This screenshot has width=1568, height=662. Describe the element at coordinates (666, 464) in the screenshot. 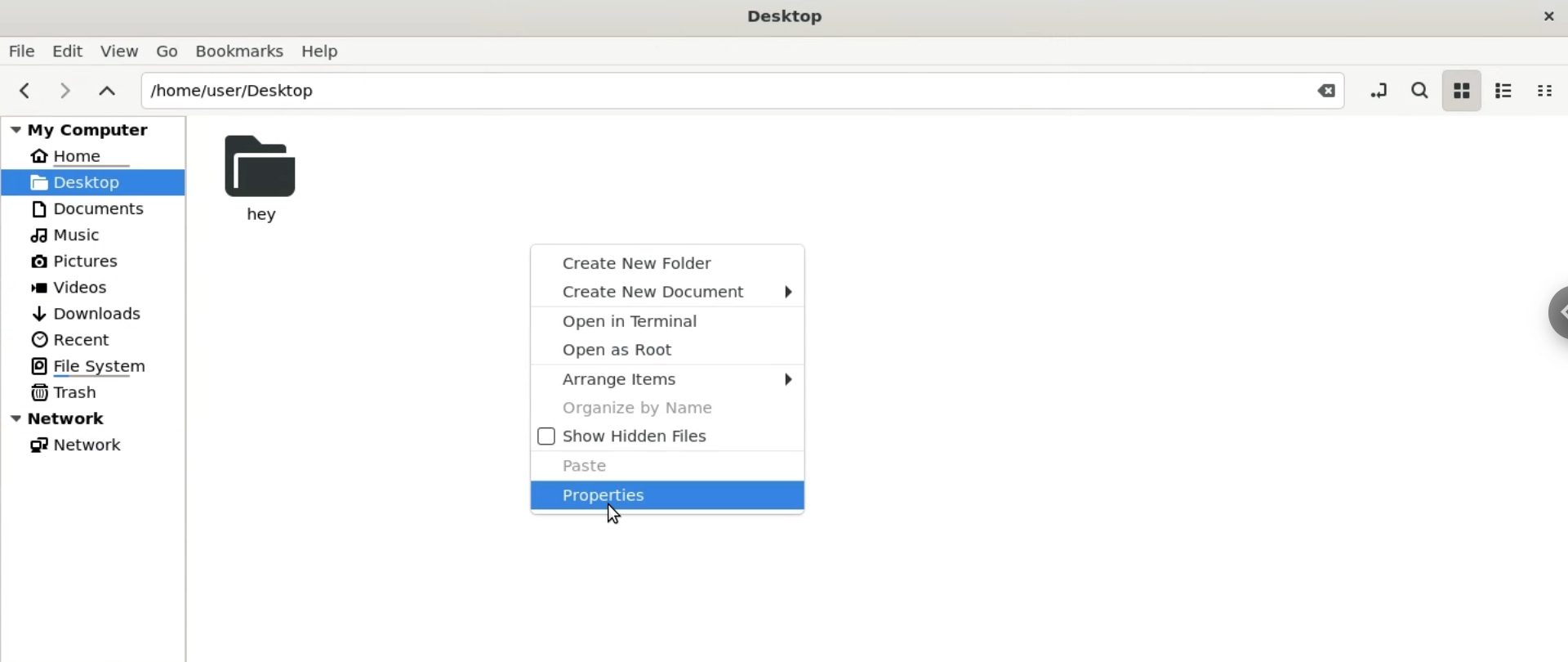

I see `paste` at that location.